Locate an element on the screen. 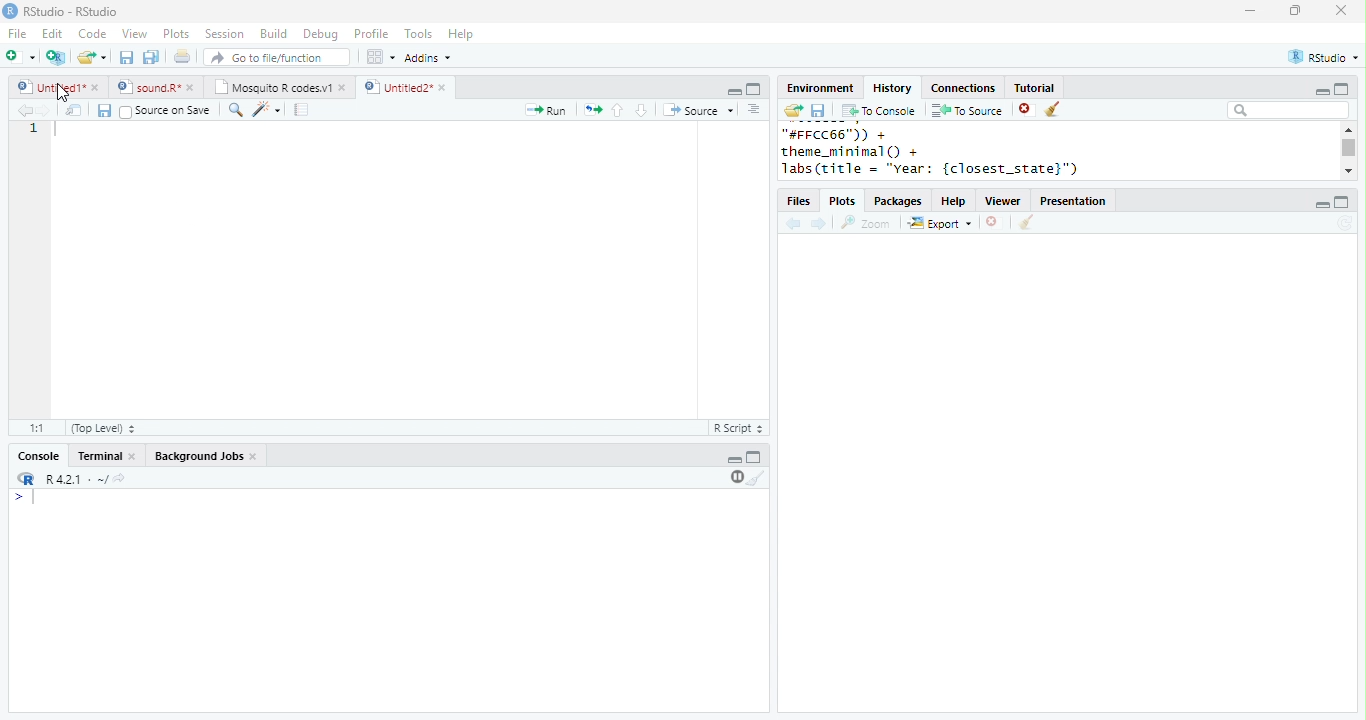 The height and width of the screenshot is (720, 1366). Presentation is located at coordinates (1073, 201).